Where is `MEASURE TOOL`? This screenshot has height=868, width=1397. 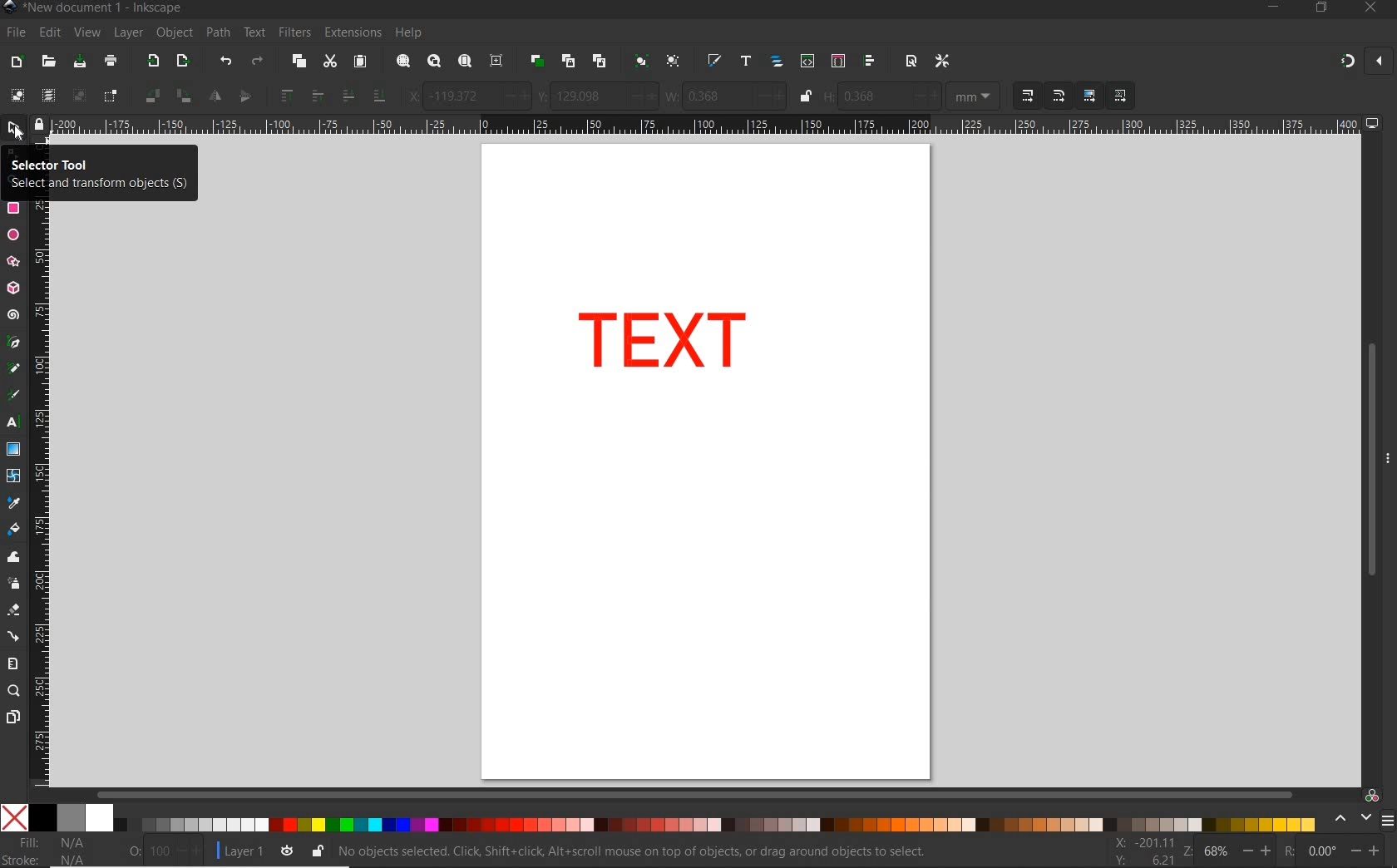 MEASURE TOOL is located at coordinates (12, 663).